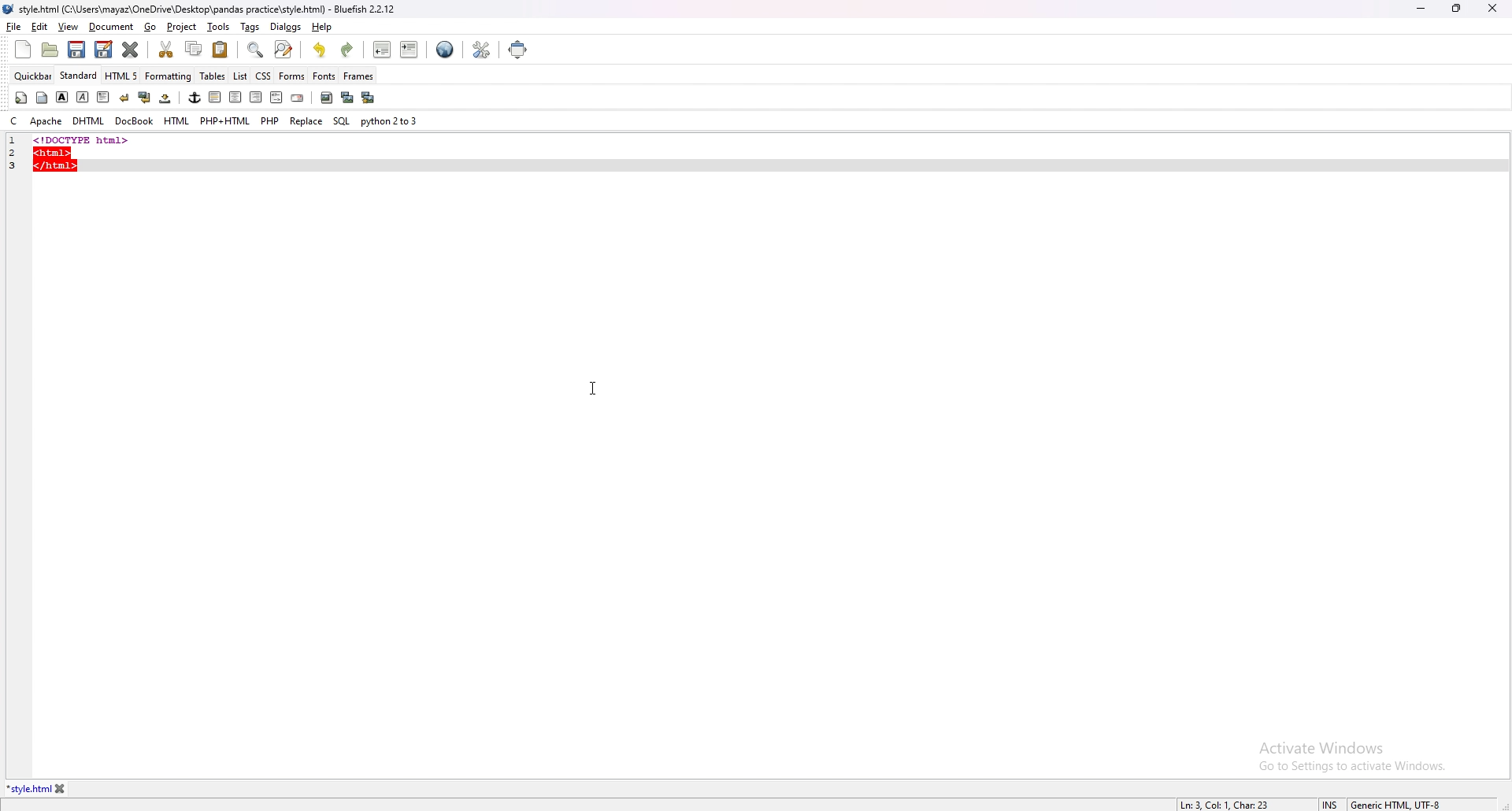  I want to click on tab, so click(28, 789).